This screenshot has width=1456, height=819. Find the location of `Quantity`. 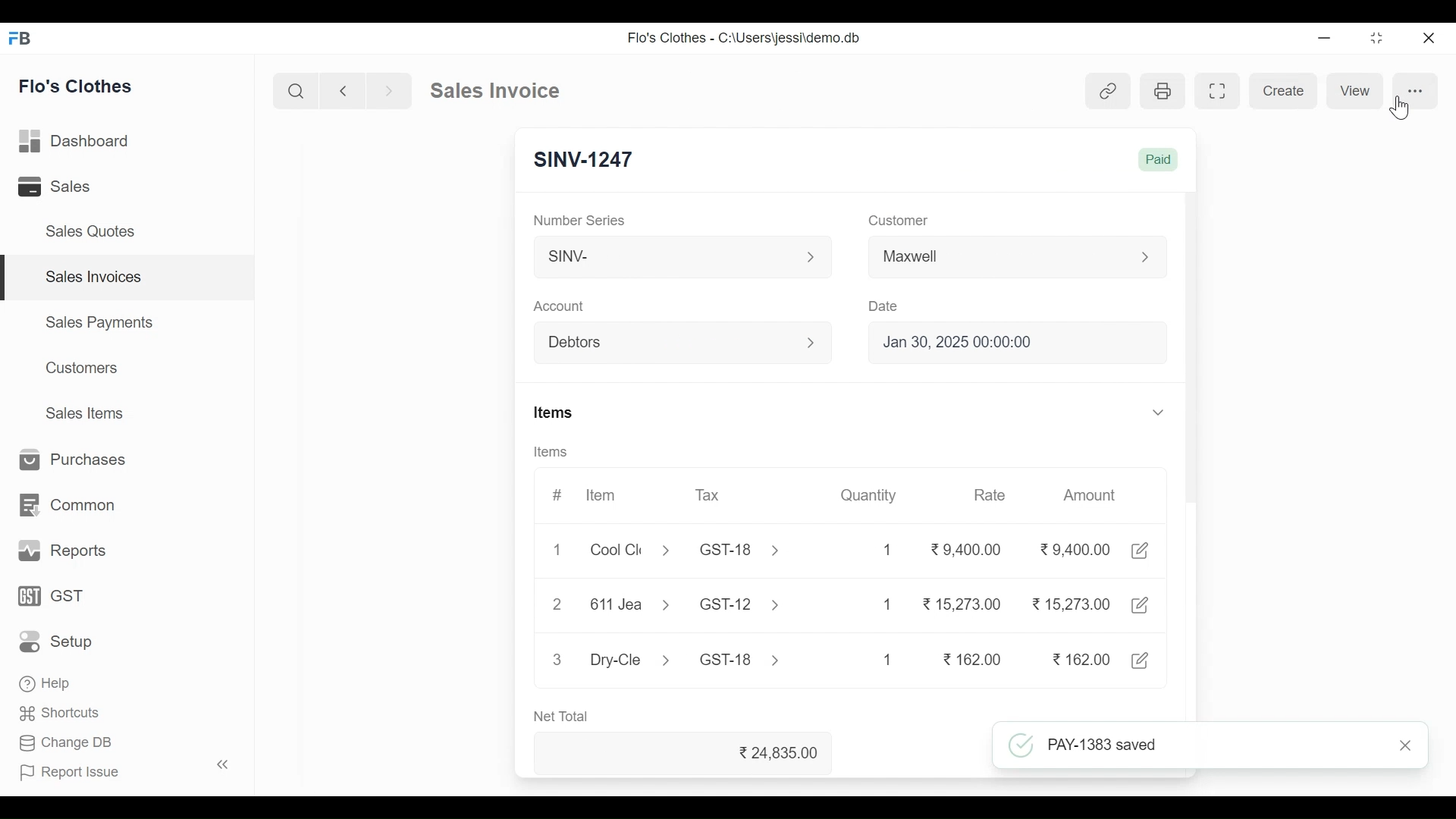

Quantity is located at coordinates (875, 495).